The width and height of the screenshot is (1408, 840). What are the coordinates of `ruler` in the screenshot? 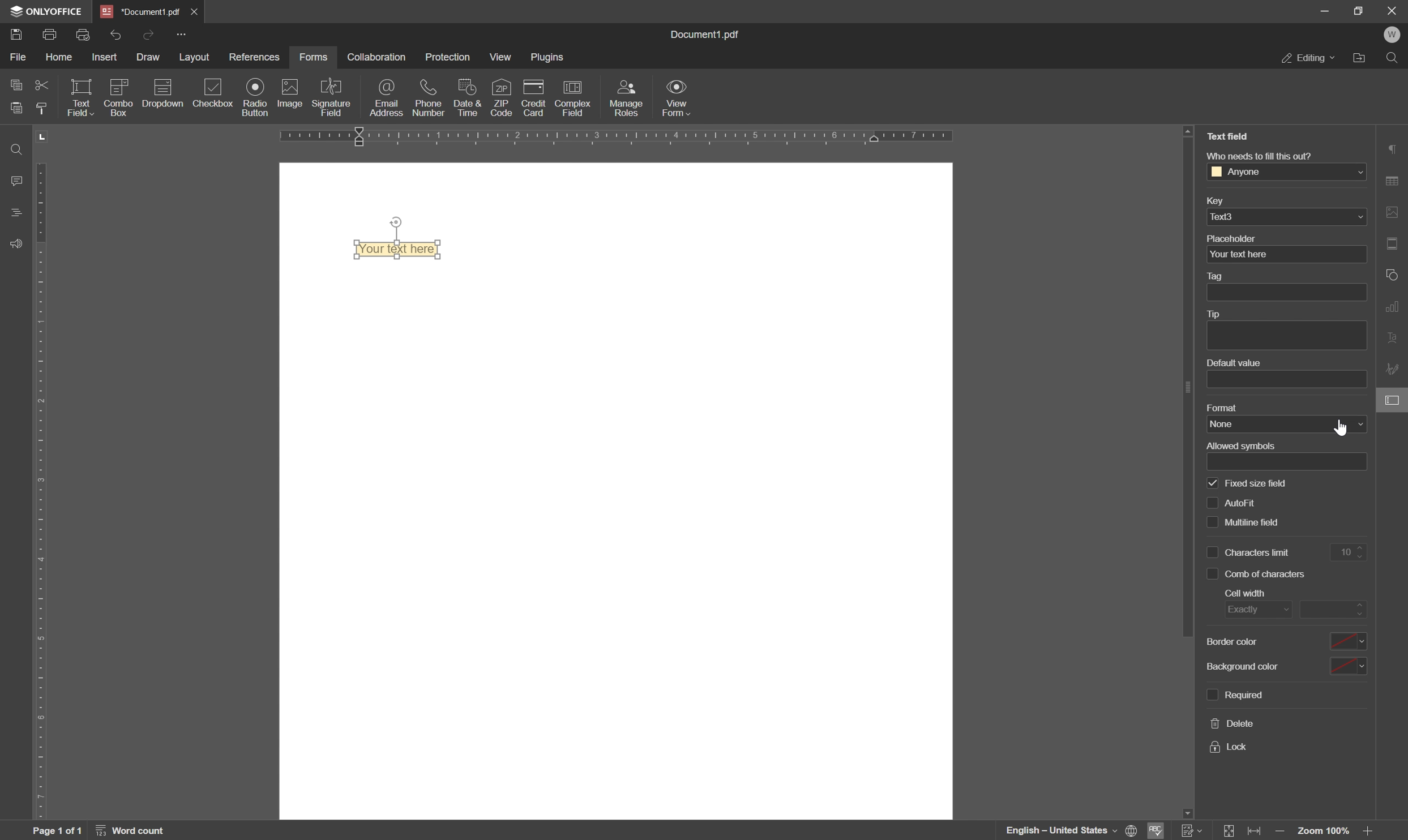 It's located at (45, 474).